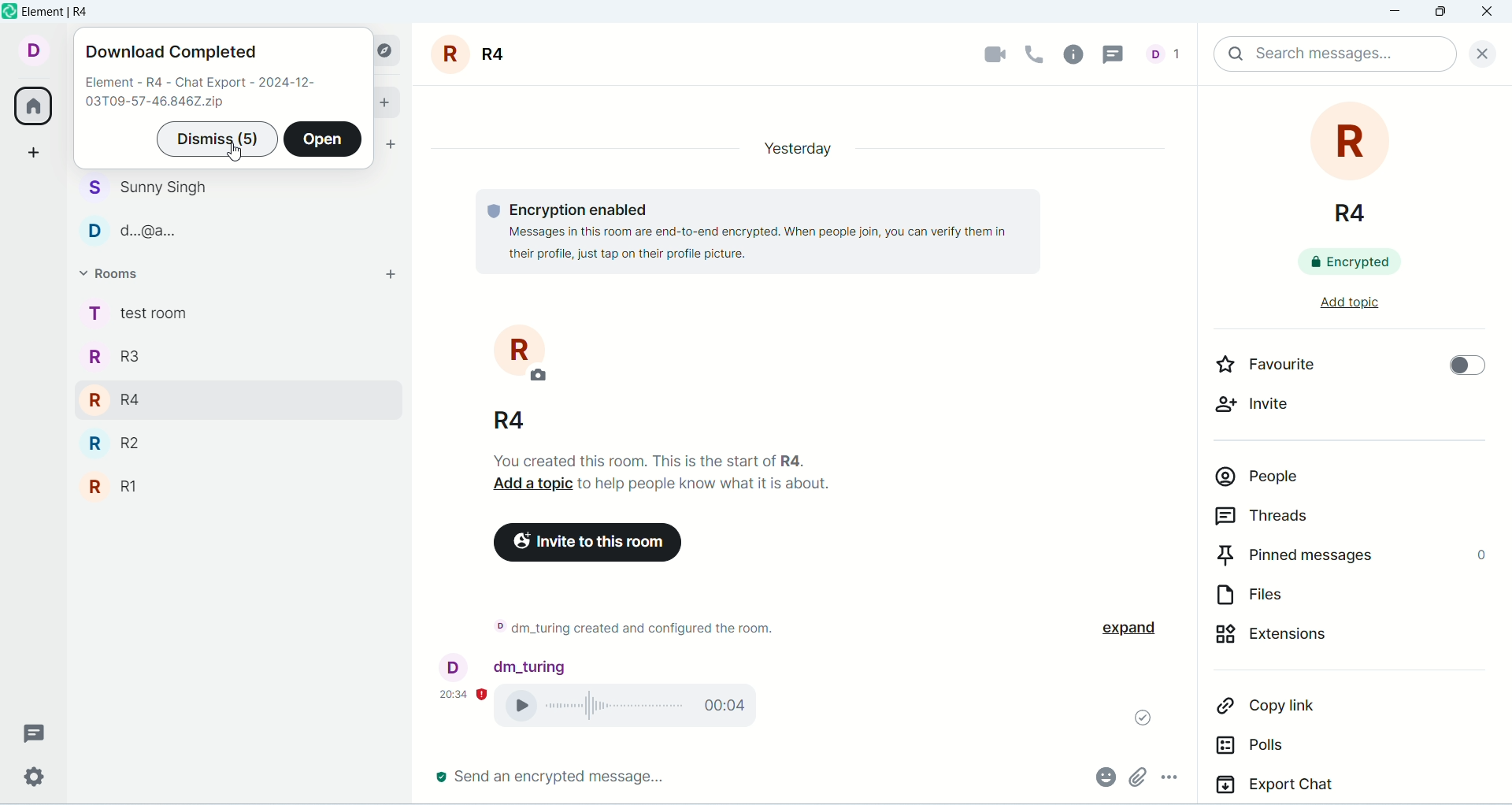 The width and height of the screenshot is (1512, 805). I want to click on text, so click(632, 631).